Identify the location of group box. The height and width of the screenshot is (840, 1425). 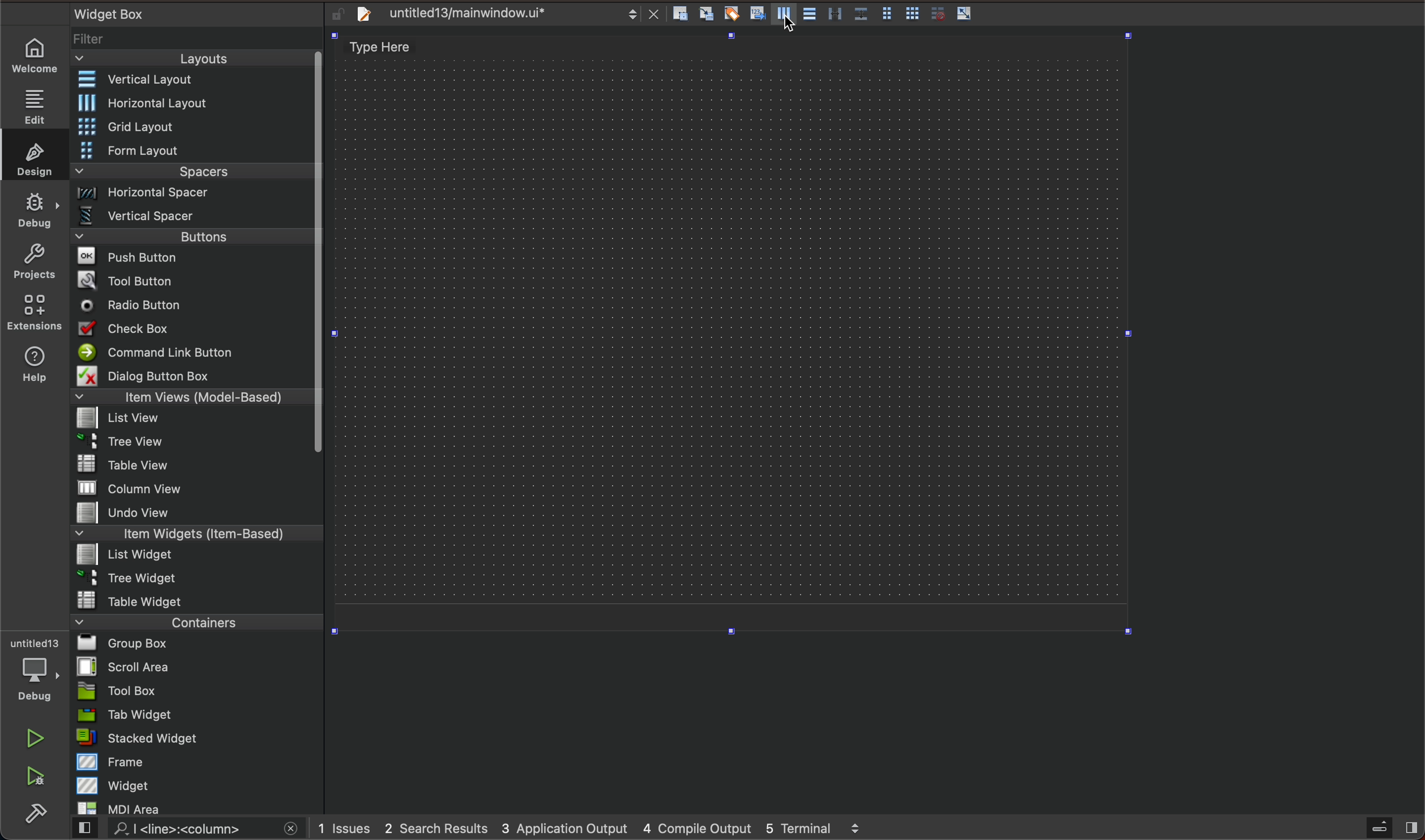
(199, 644).